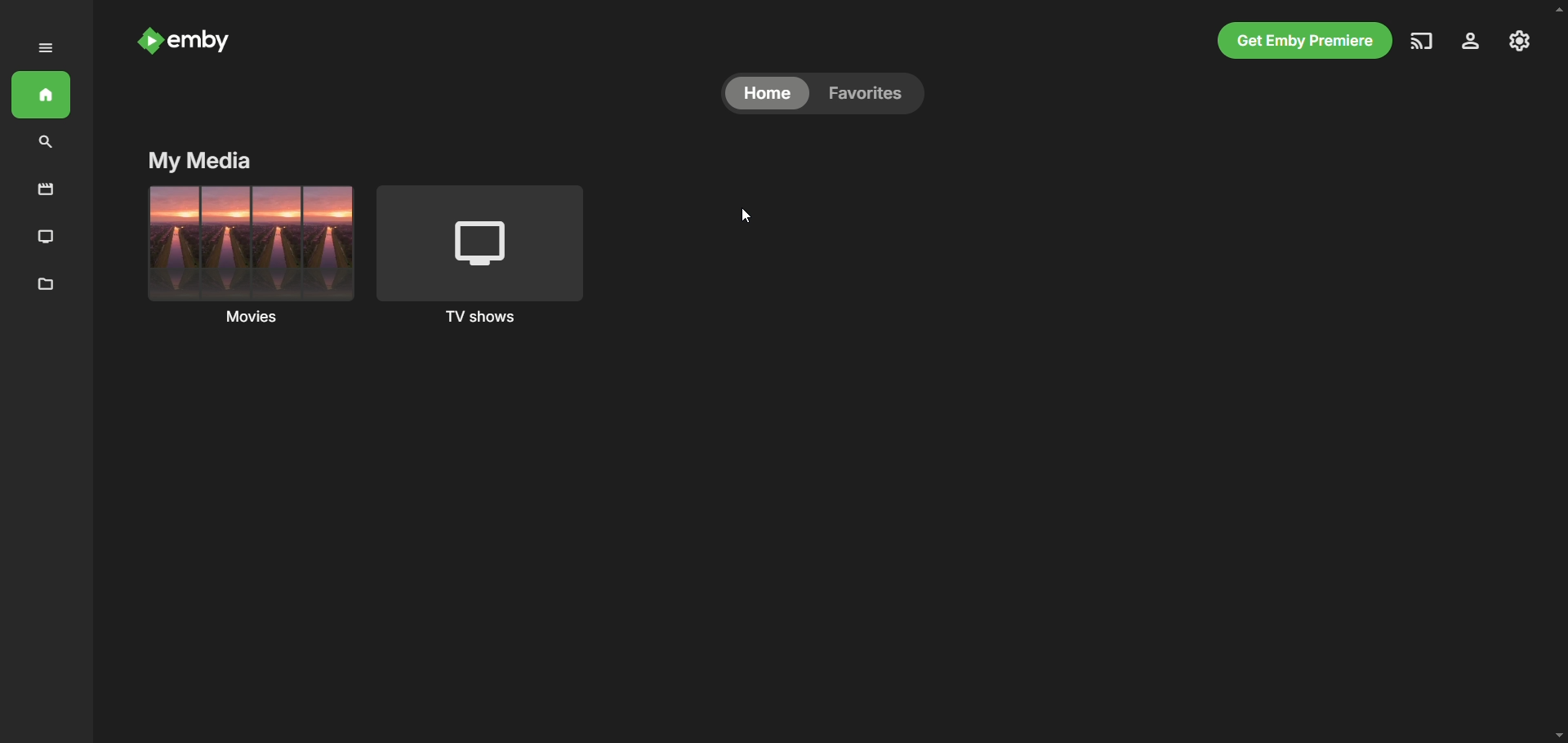  Describe the element at coordinates (248, 253) in the screenshot. I see `movies` at that location.